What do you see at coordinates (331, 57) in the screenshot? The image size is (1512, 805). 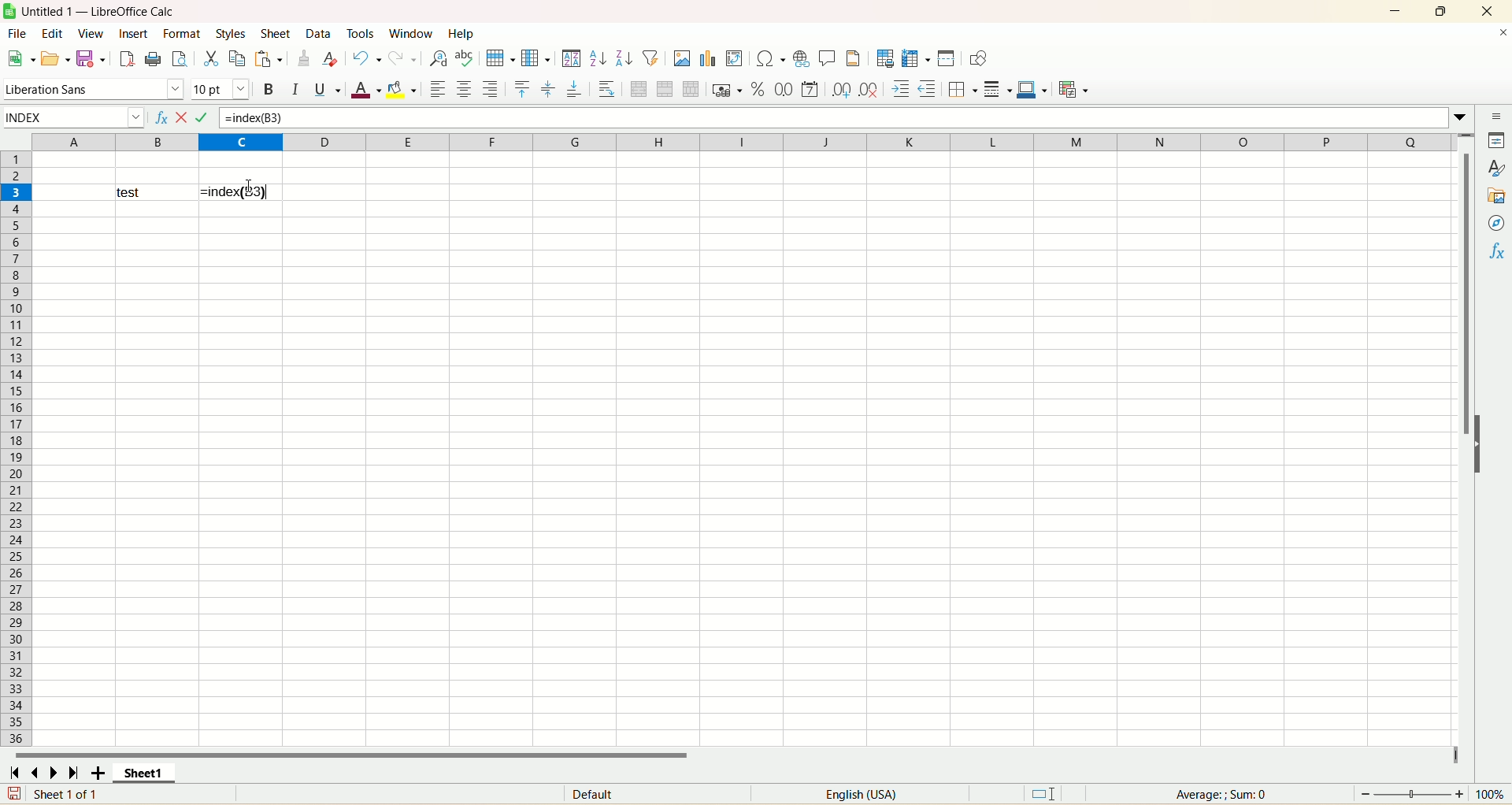 I see `clear formatting` at bounding box center [331, 57].